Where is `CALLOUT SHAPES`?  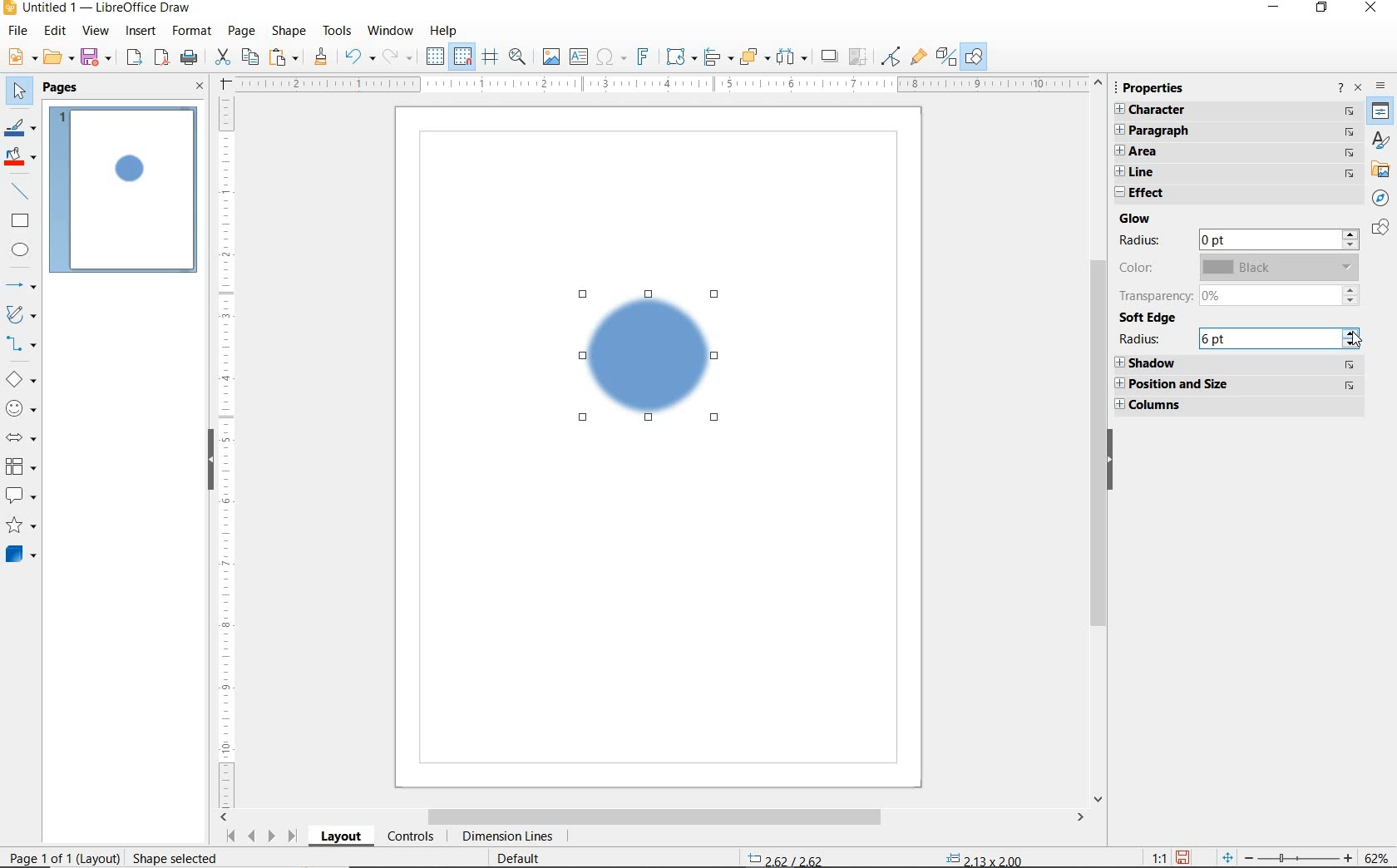 CALLOUT SHAPES is located at coordinates (22, 496).